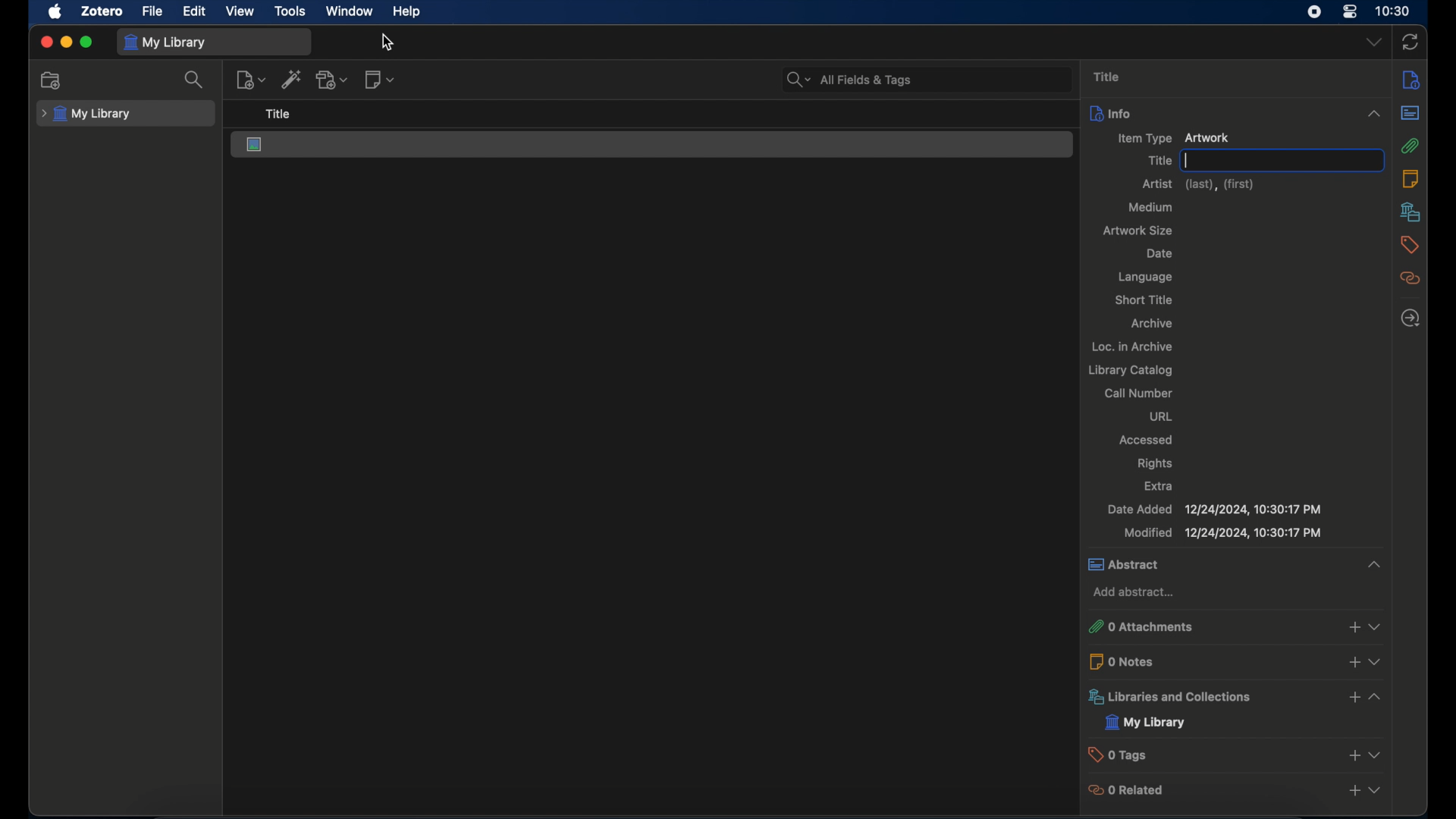 Image resolution: width=1456 pixels, height=819 pixels. I want to click on attachments, so click(1410, 146).